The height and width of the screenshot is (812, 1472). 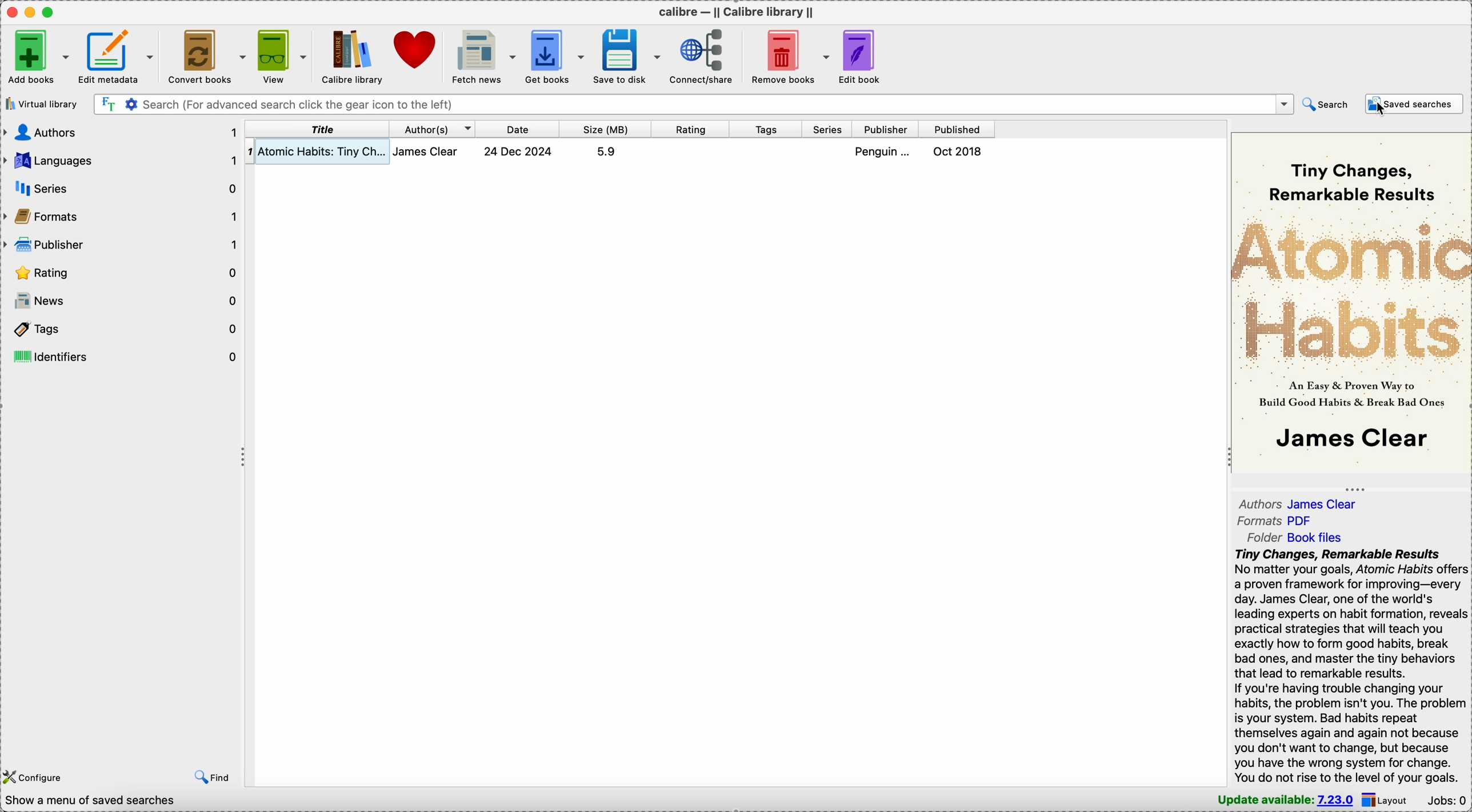 What do you see at coordinates (959, 151) in the screenshot?
I see `Oct 2018` at bounding box center [959, 151].